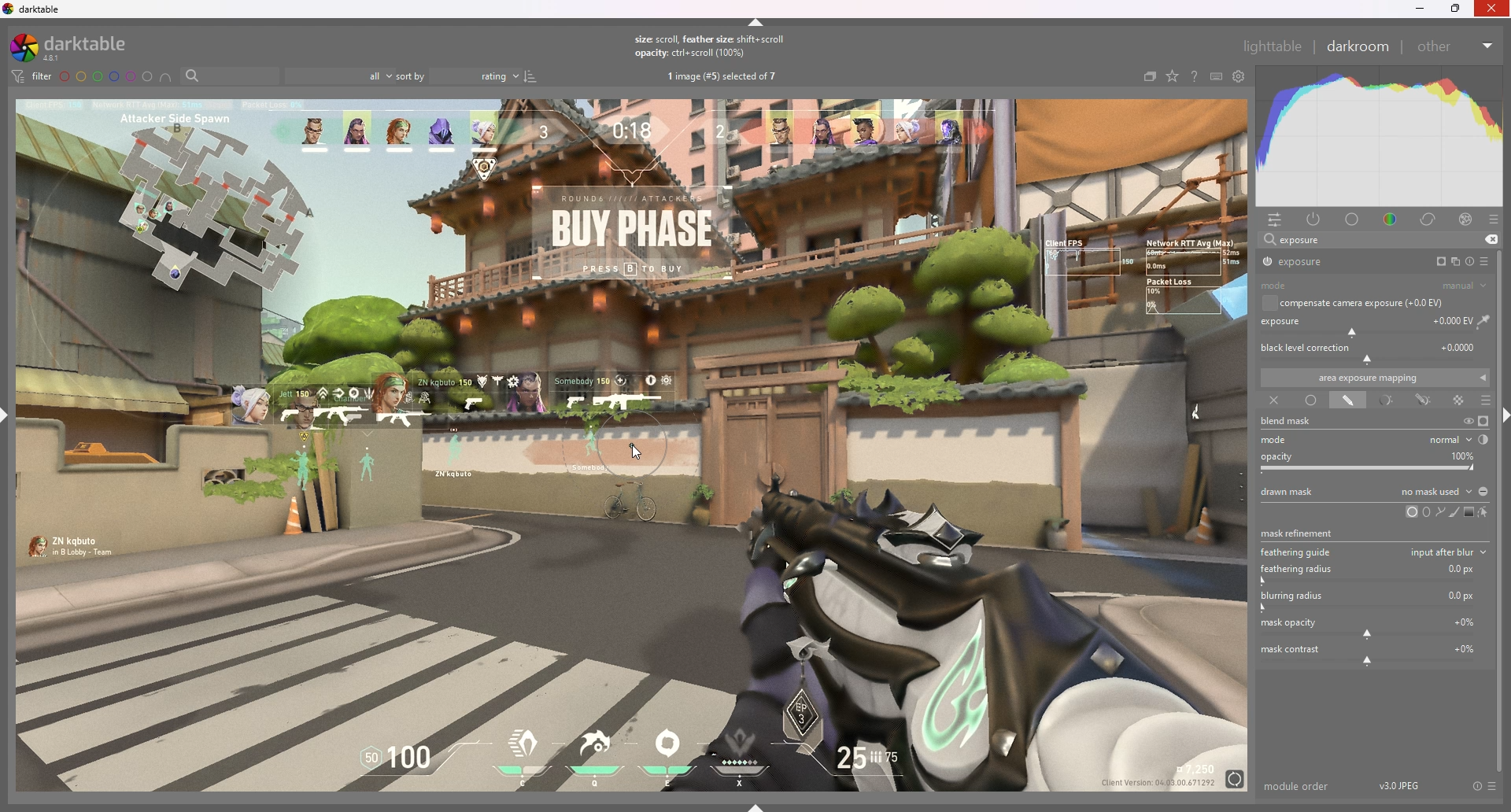 The image size is (1511, 812). What do you see at coordinates (106, 77) in the screenshot?
I see `color labels` at bounding box center [106, 77].